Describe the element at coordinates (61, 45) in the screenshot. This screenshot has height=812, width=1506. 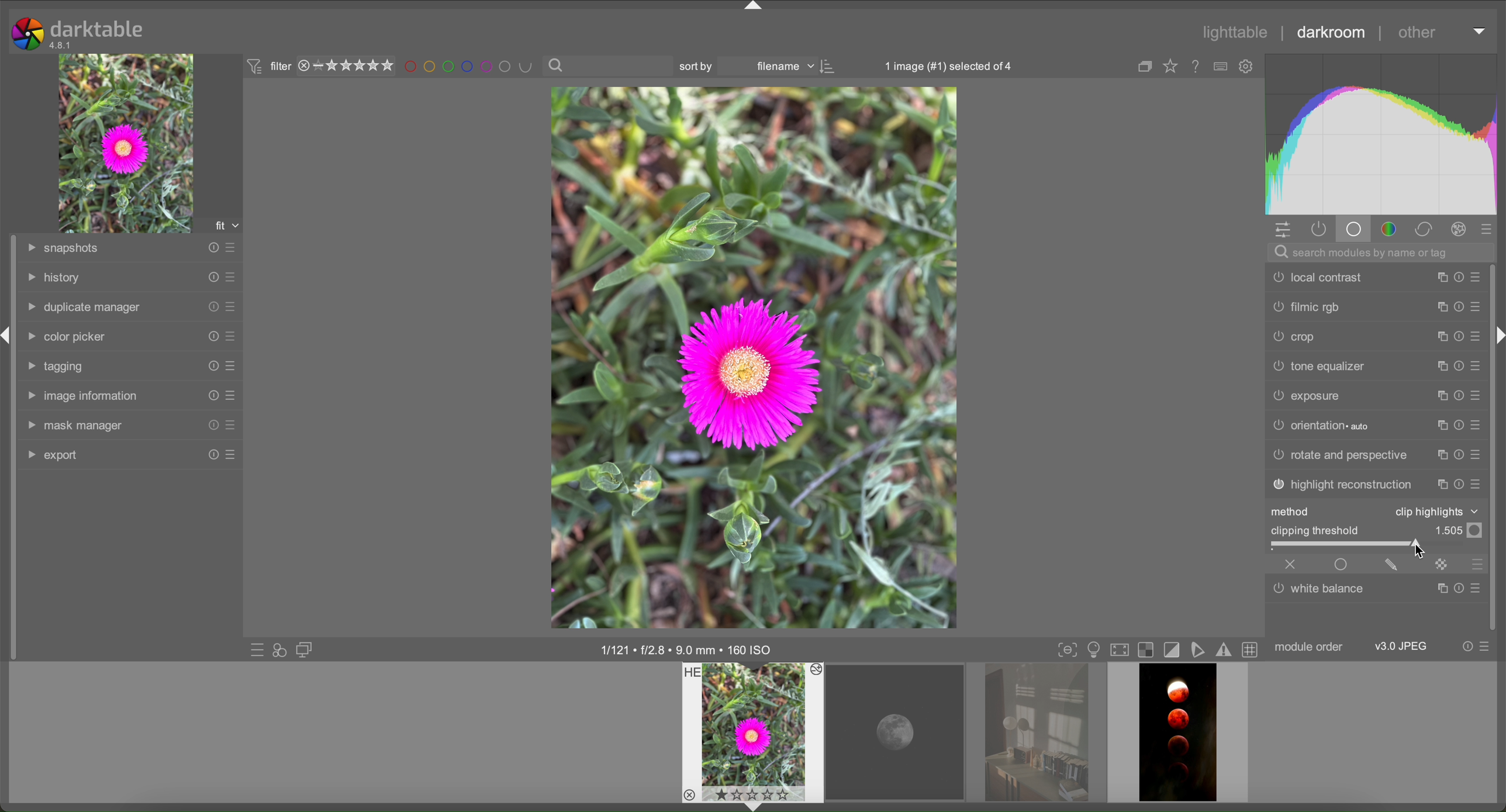
I see `version` at that location.